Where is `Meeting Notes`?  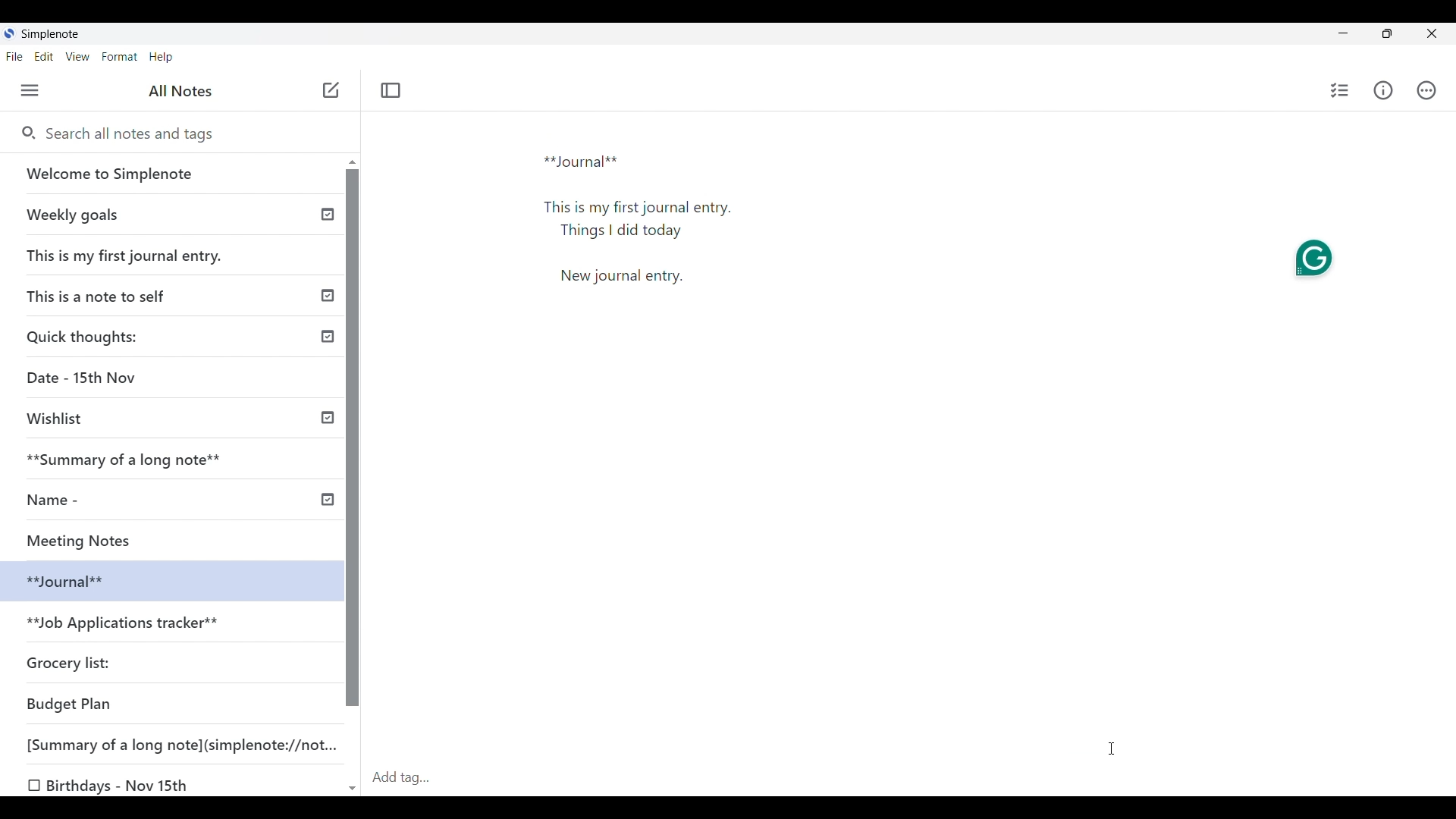
Meeting Notes is located at coordinates (96, 538).